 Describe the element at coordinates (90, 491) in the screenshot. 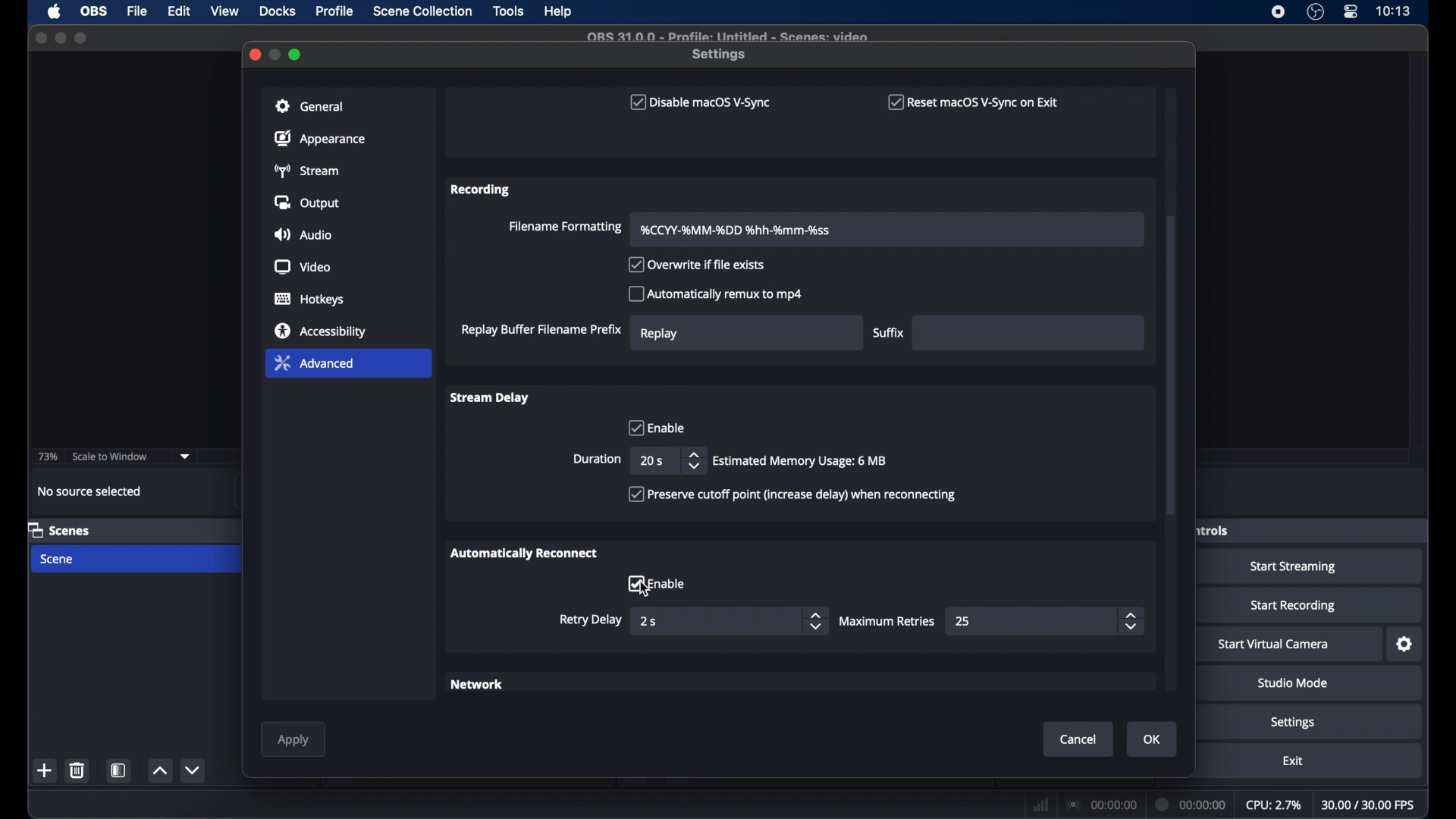

I see `no source selected` at that location.